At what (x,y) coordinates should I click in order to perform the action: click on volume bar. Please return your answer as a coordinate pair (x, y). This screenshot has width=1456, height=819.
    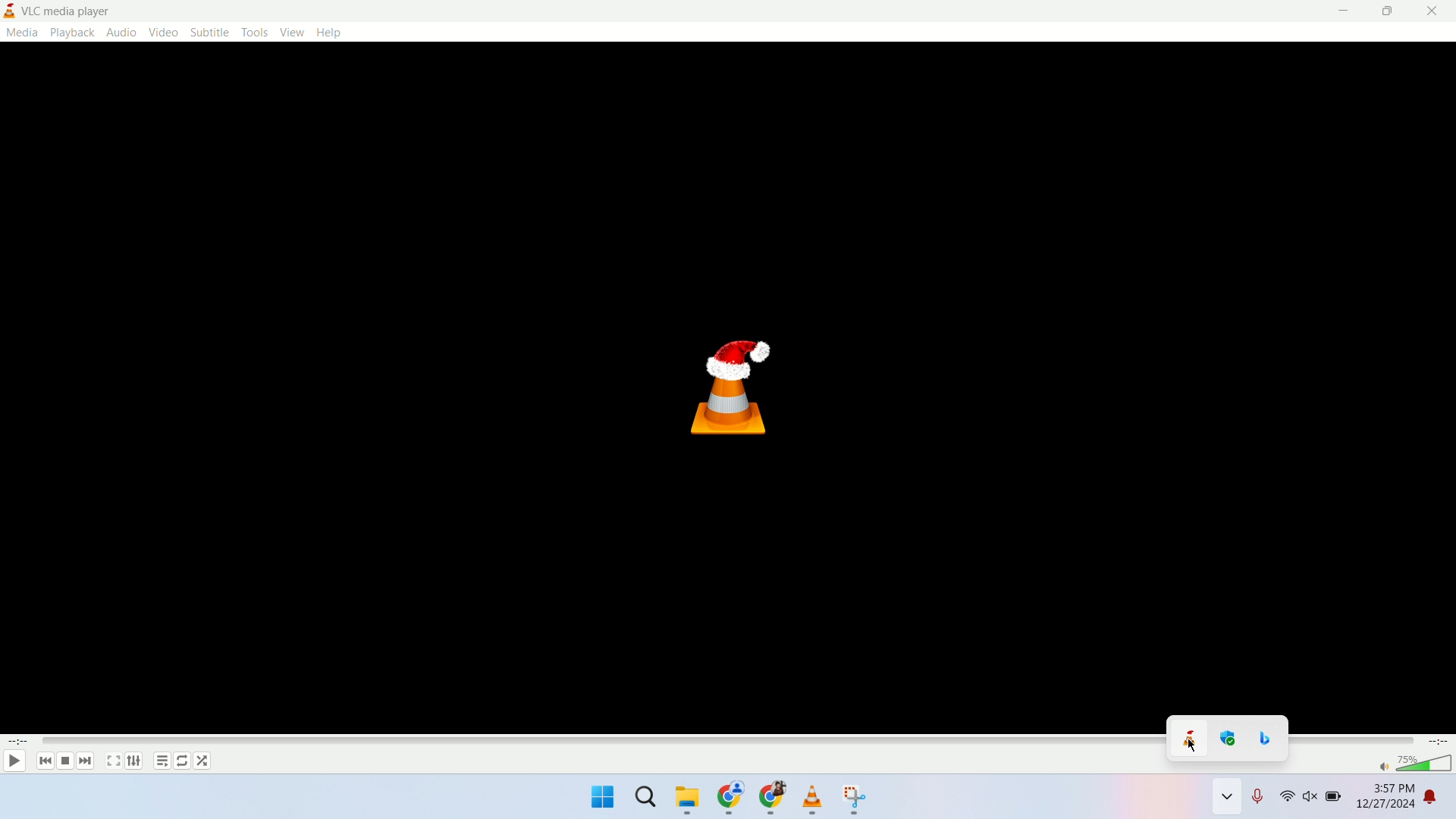
    Looking at the image, I should click on (1426, 764).